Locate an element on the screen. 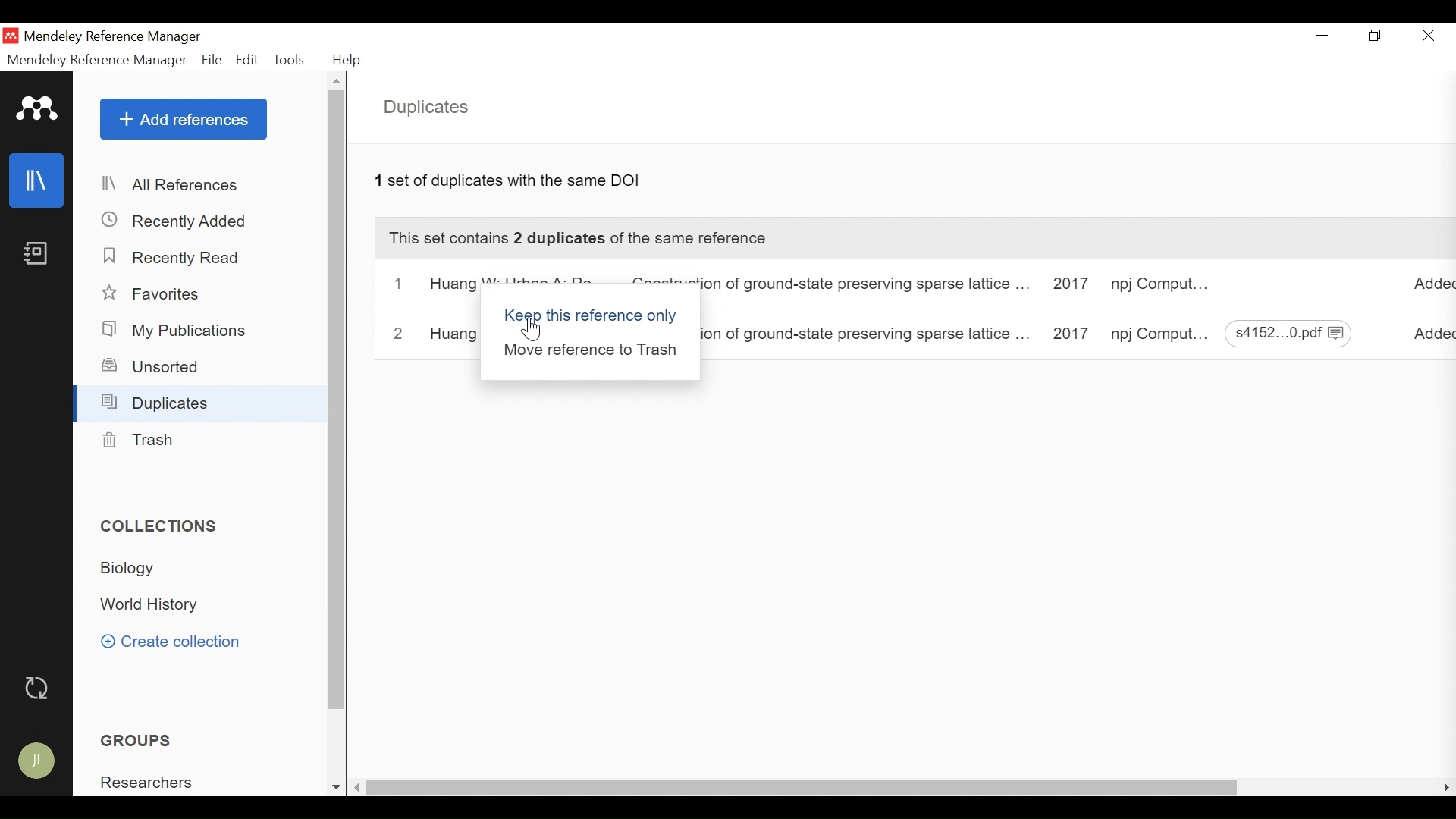 The height and width of the screenshot is (819, 1456). Duplicates is located at coordinates (428, 107).